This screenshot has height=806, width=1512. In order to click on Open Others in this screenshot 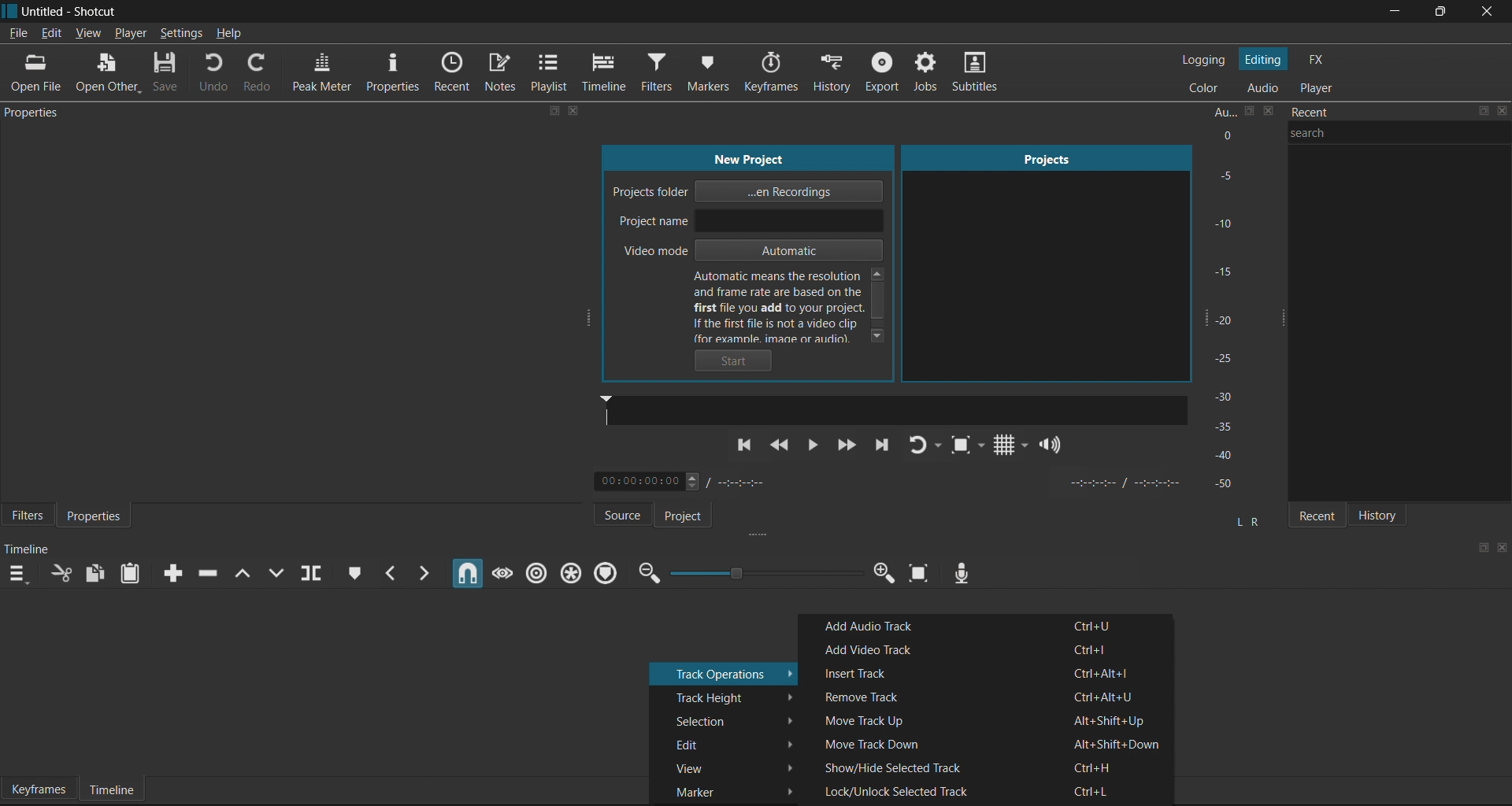, I will do `click(106, 73)`.